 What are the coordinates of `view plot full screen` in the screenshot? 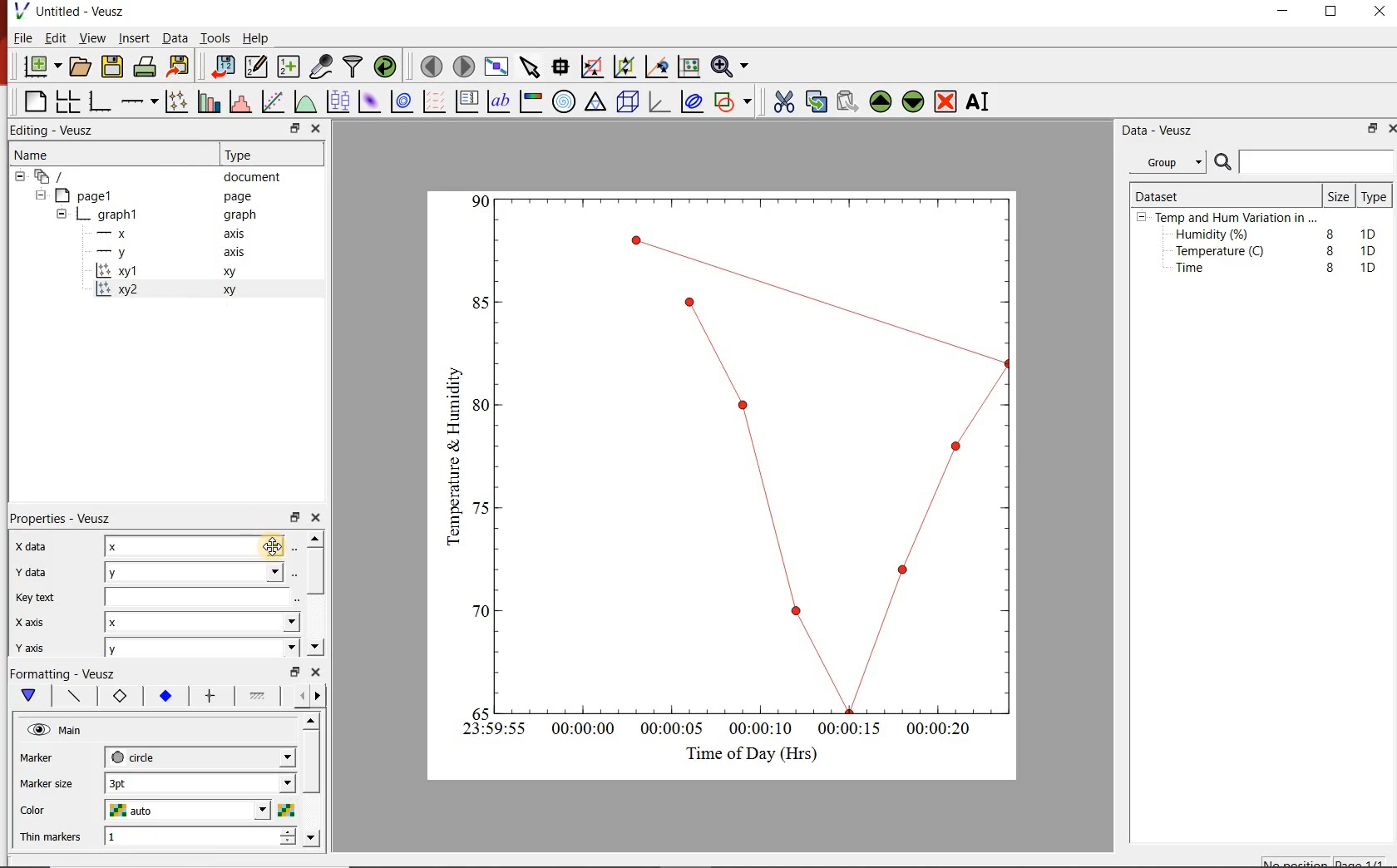 It's located at (497, 67).